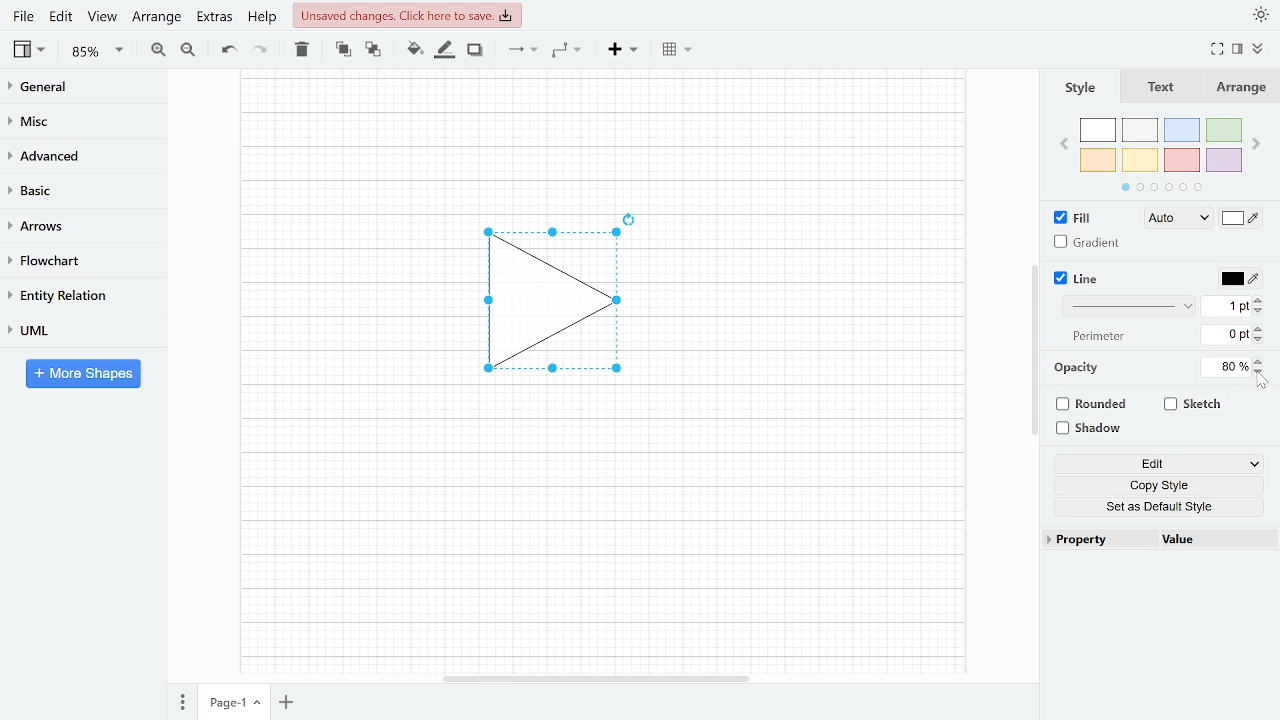  What do you see at coordinates (623, 48) in the screenshot?
I see `Insert` at bounding box center [623, 48].